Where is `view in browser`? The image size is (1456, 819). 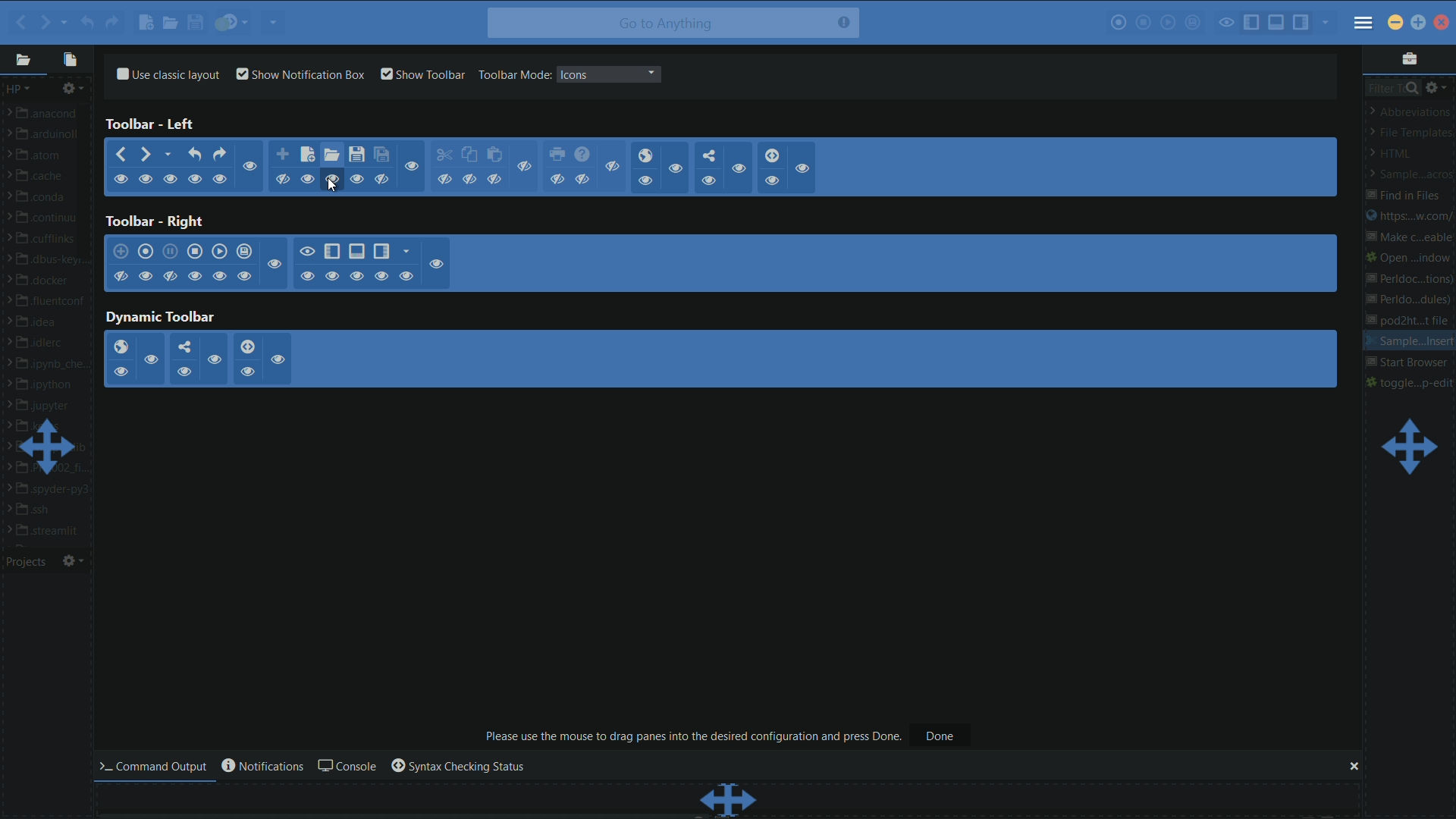 view in browser is located at coordinates (120, 347).